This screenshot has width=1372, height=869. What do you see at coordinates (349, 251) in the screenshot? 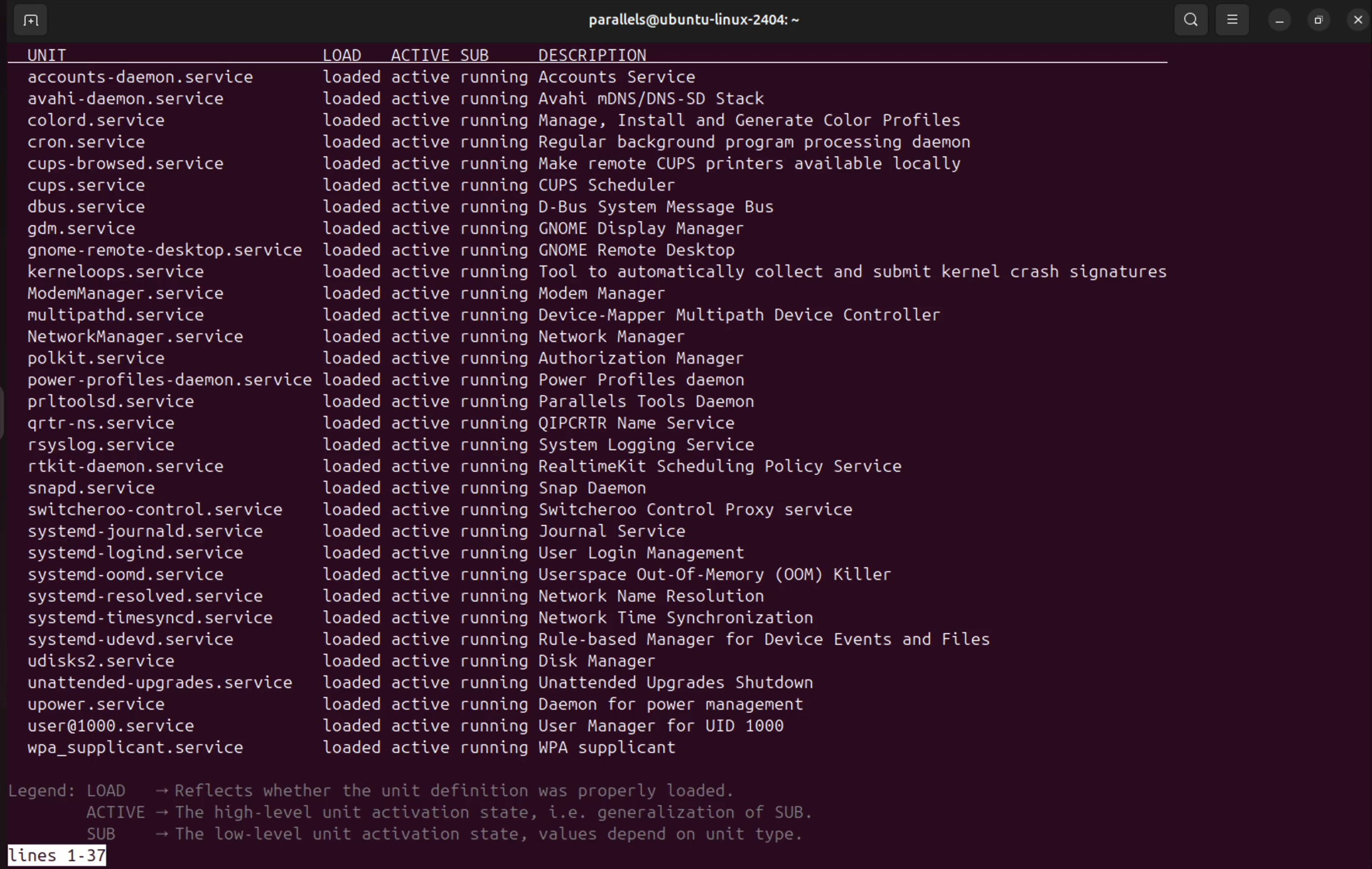
I see `vloaded` at bounding box center [349, 251].